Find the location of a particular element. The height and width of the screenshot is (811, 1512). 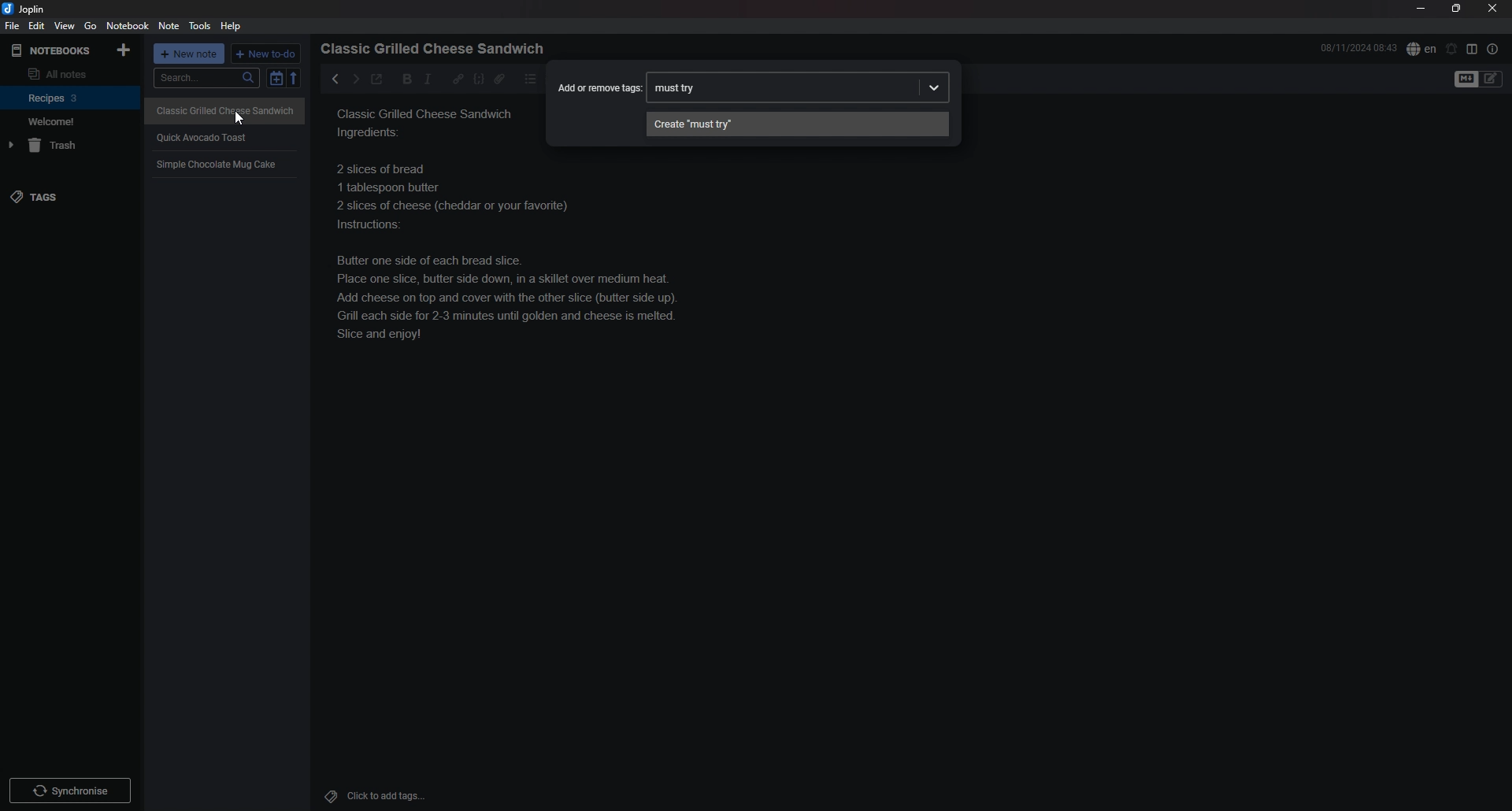

close is located at coordinates (1494, 8).